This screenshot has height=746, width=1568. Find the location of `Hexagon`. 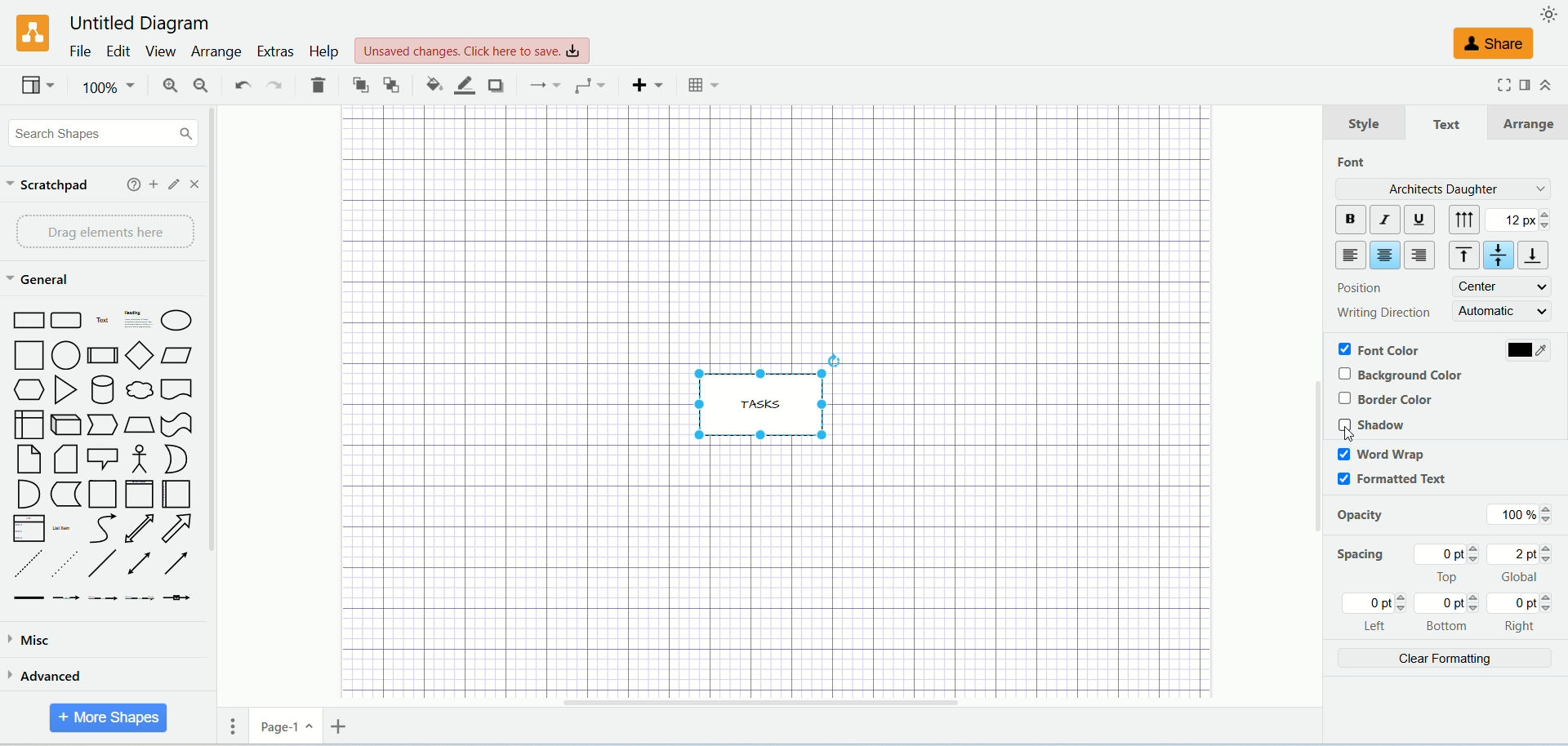

Hexagon is located at coordinates (26, 389).